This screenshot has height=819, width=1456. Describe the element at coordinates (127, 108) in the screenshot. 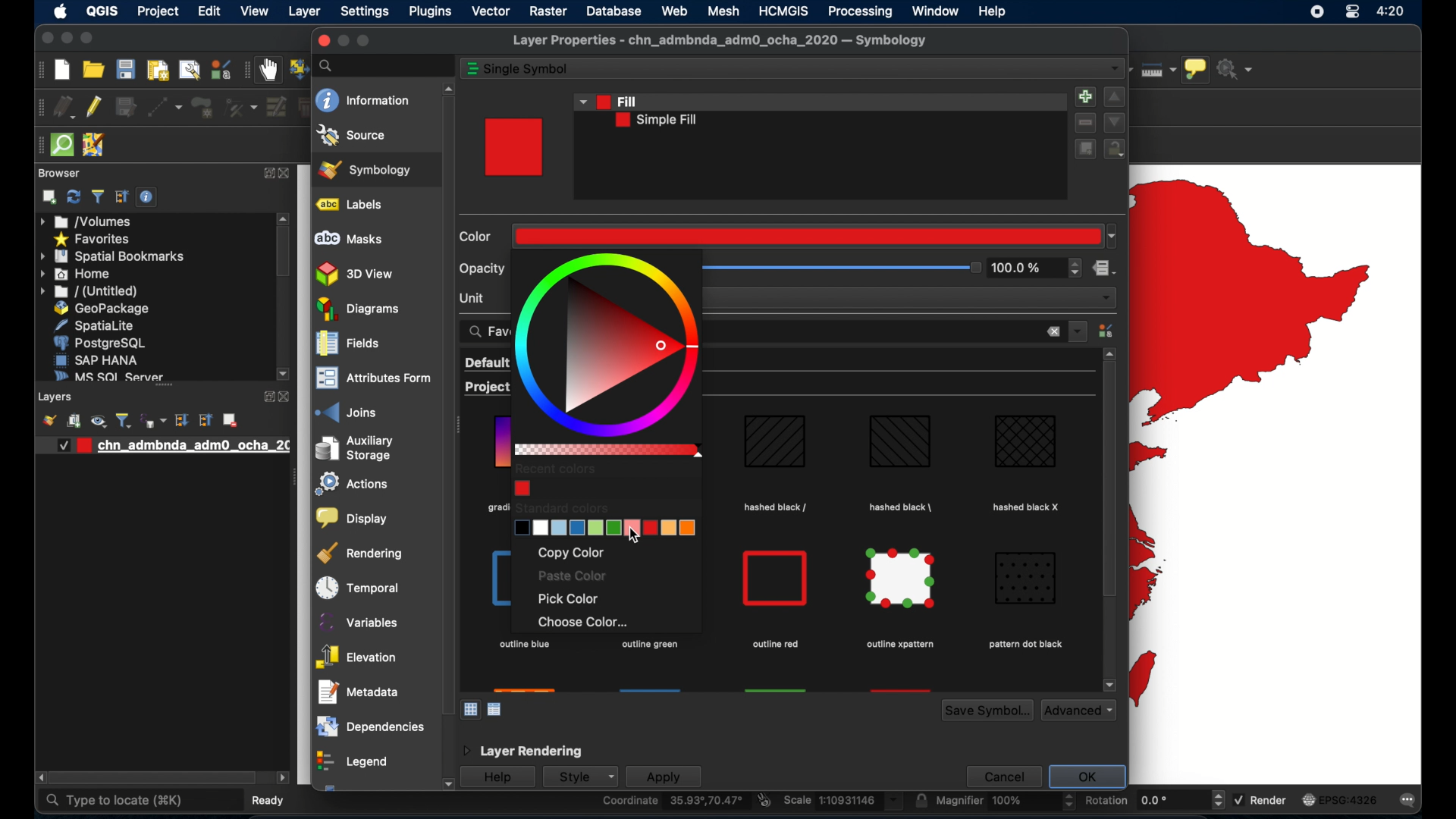

I see `save edits` at that location.